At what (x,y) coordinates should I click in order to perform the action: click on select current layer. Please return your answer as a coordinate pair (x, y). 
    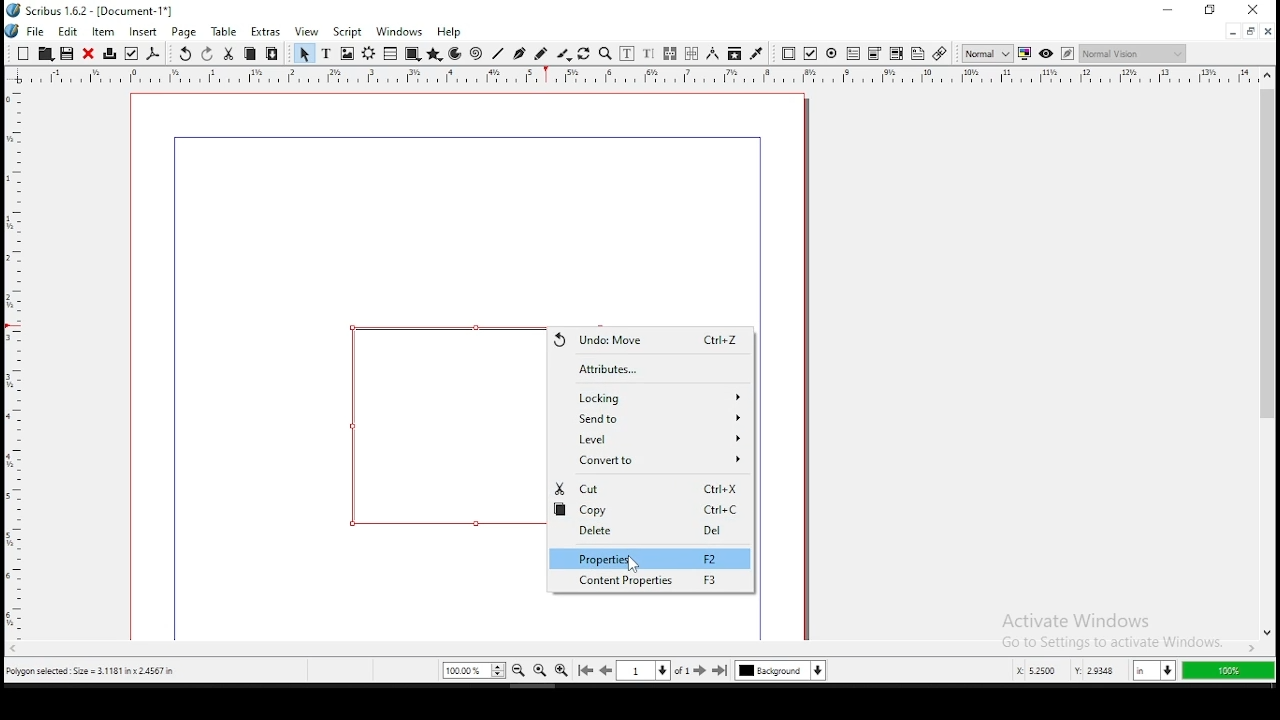
    Looking at the image, I should click on (781, 670).